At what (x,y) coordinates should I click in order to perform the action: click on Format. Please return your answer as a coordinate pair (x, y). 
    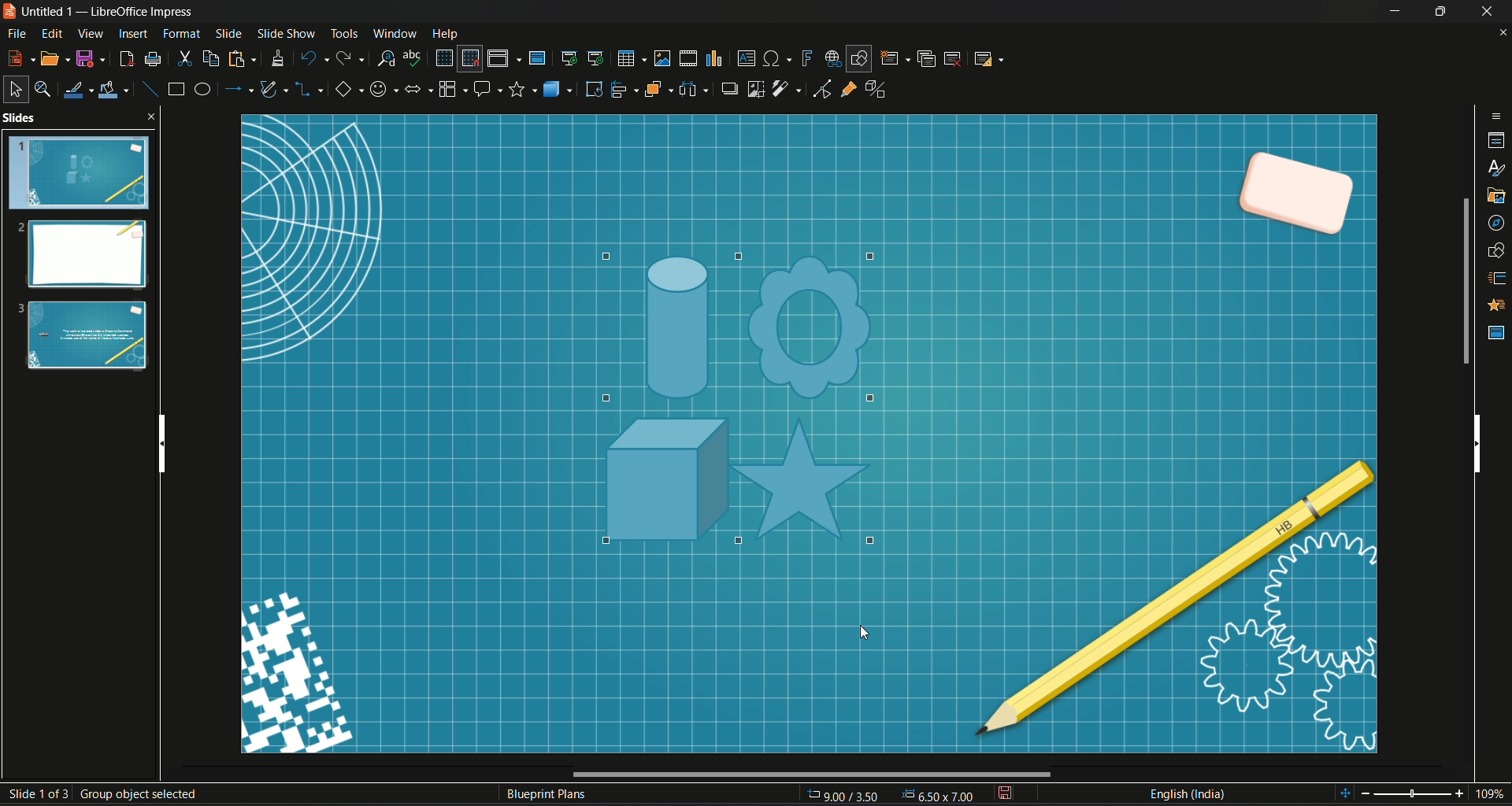
    Looking at the image, I should click on (182, 34).